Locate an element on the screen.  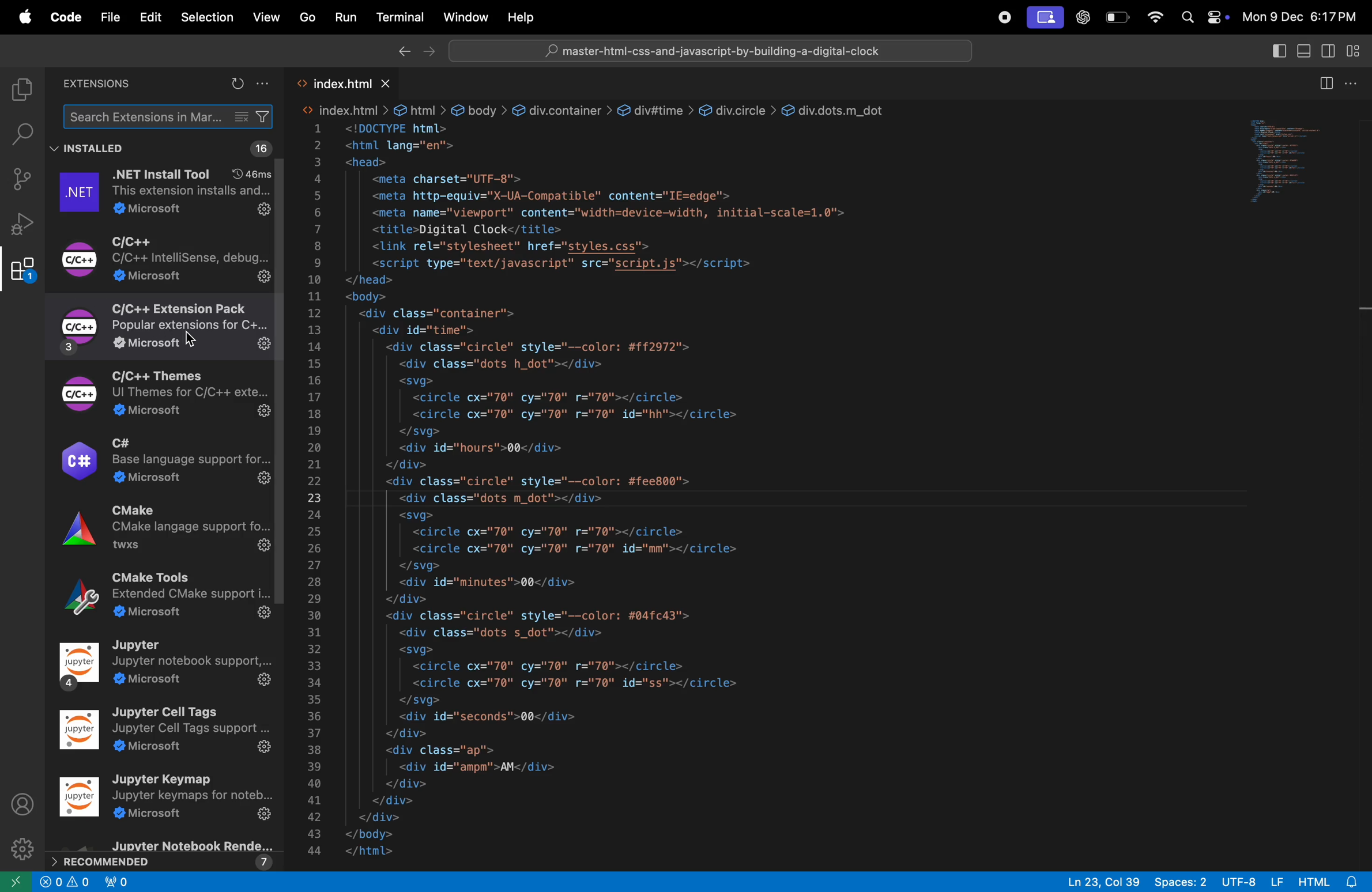
slider is located at coordinates (1363, 322).